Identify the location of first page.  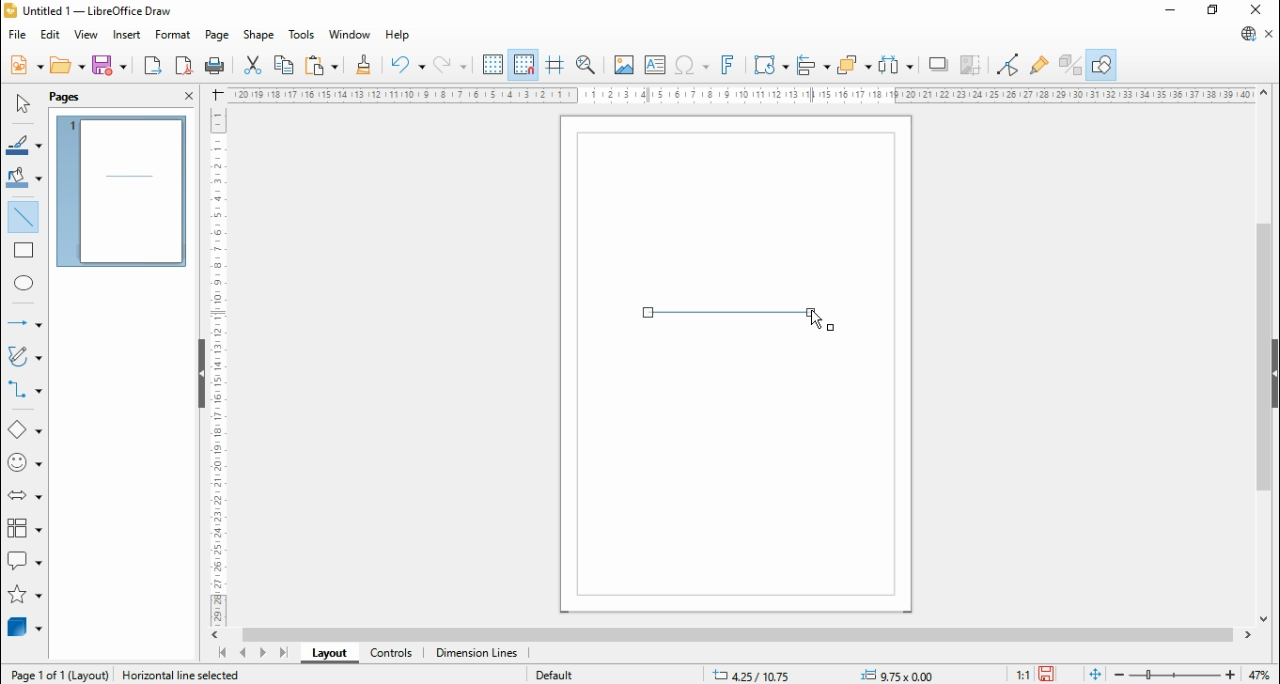
(220, 653).